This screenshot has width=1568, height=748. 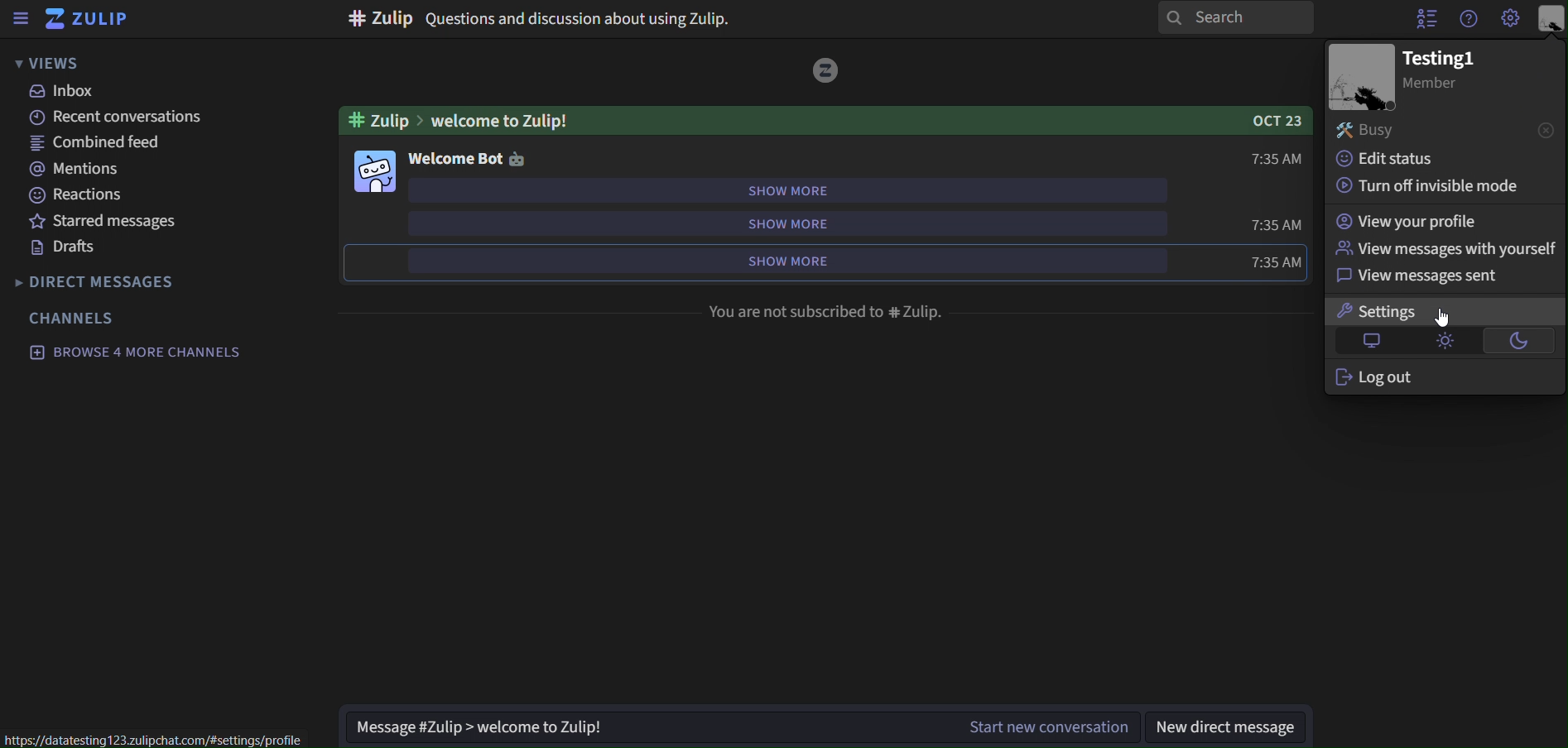 What do you see at coordinates (81, 170) in the screenshot?
I see `mentions` at bounding box center [81, 170].